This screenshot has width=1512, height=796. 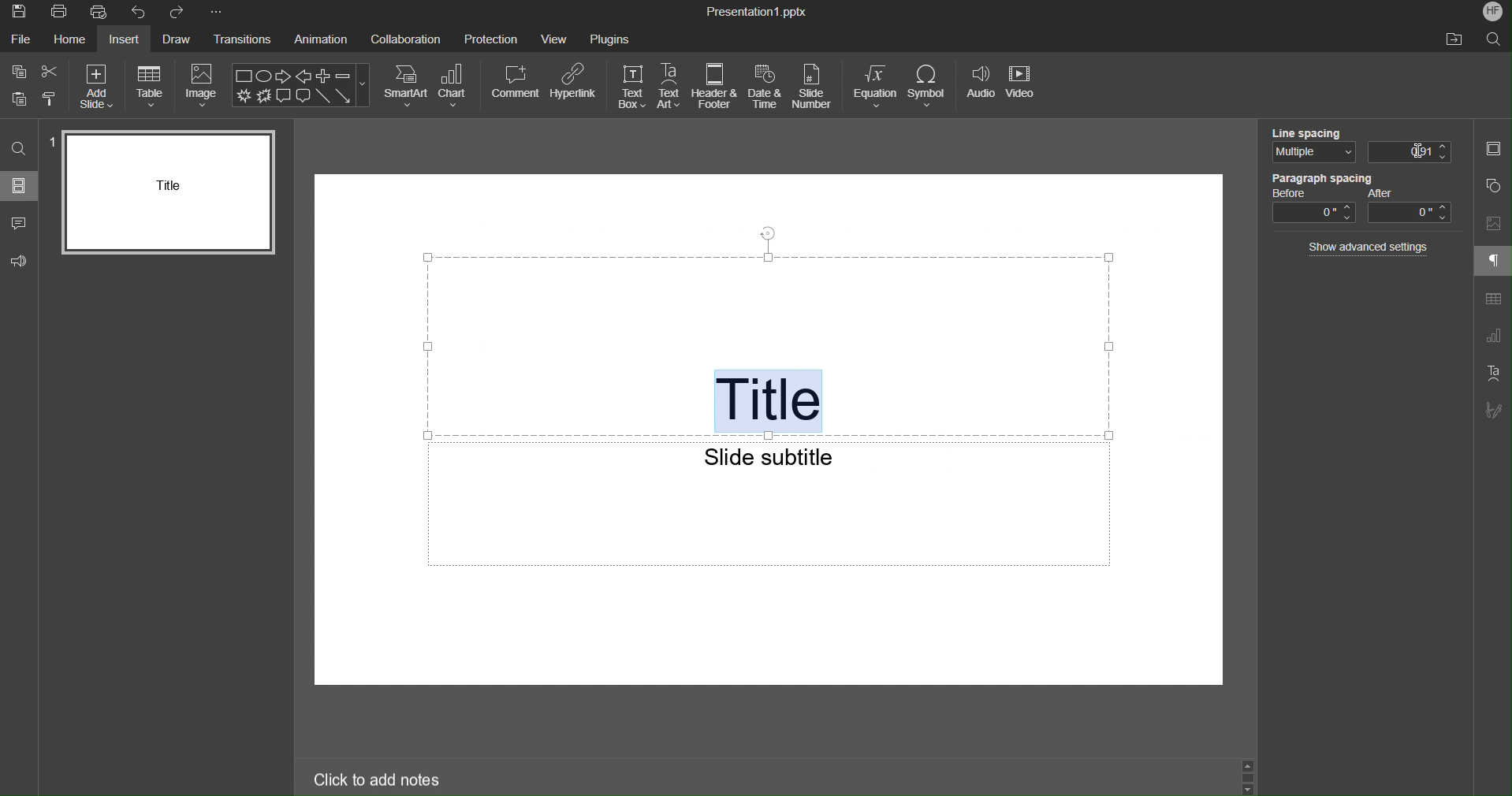 What do you see at coordinates (202, 87) in the screenshot?
I see `Image` at bounding box center [202, 87].